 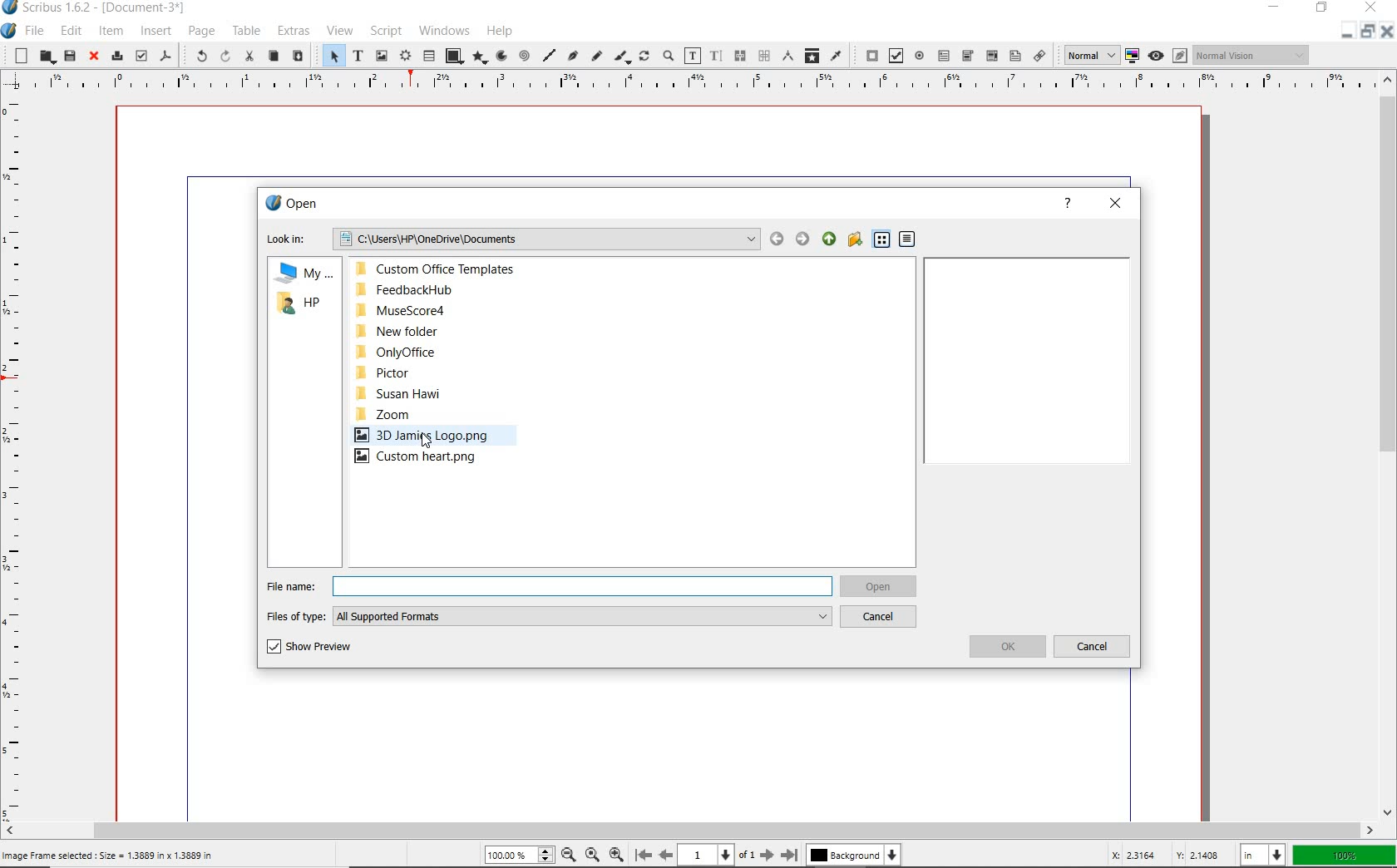 What do you see at coordinates (549, 614) in the screenshot?
I see `FILES OF TYPE` at bounding box center [549, 614].